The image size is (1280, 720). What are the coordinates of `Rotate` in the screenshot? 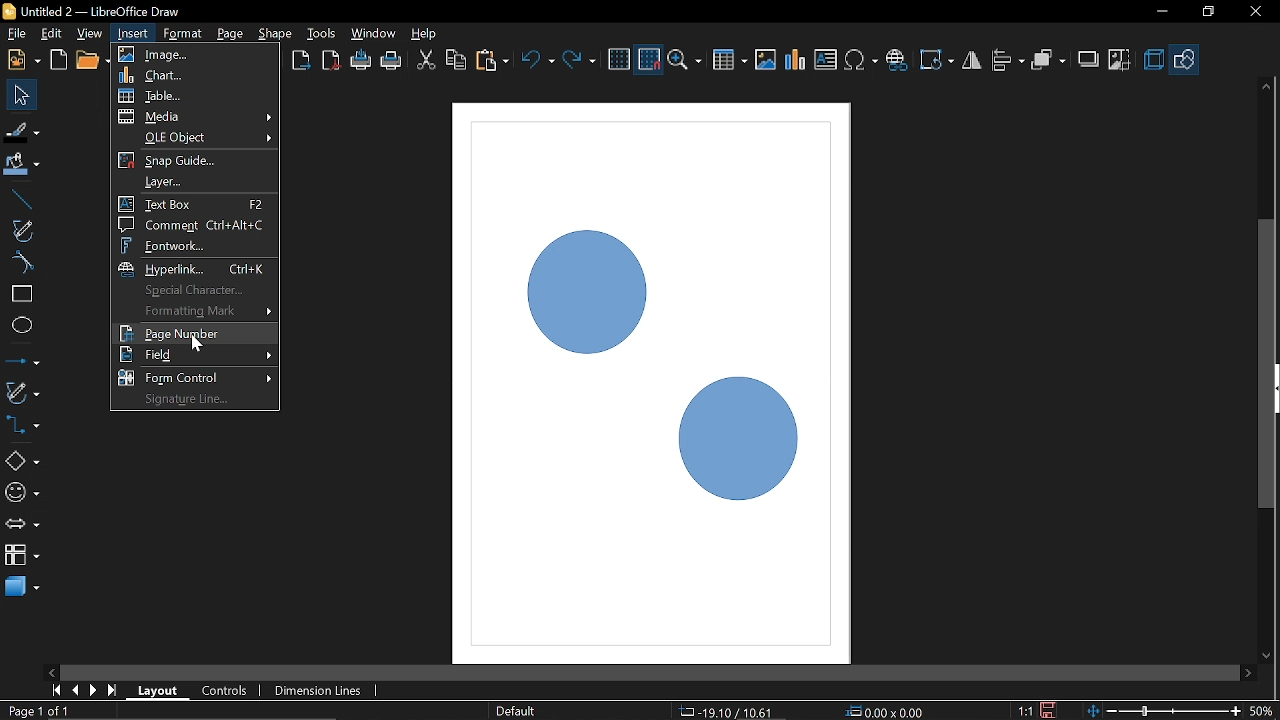 It's located at (938, 60).